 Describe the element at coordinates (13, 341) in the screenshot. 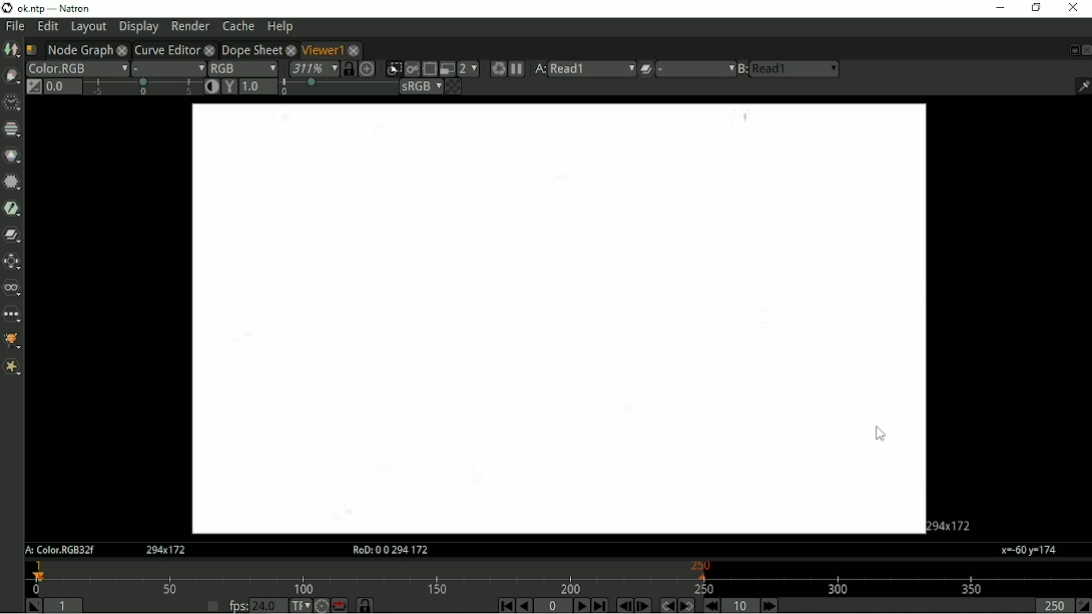

I see `GMIC` at that location.